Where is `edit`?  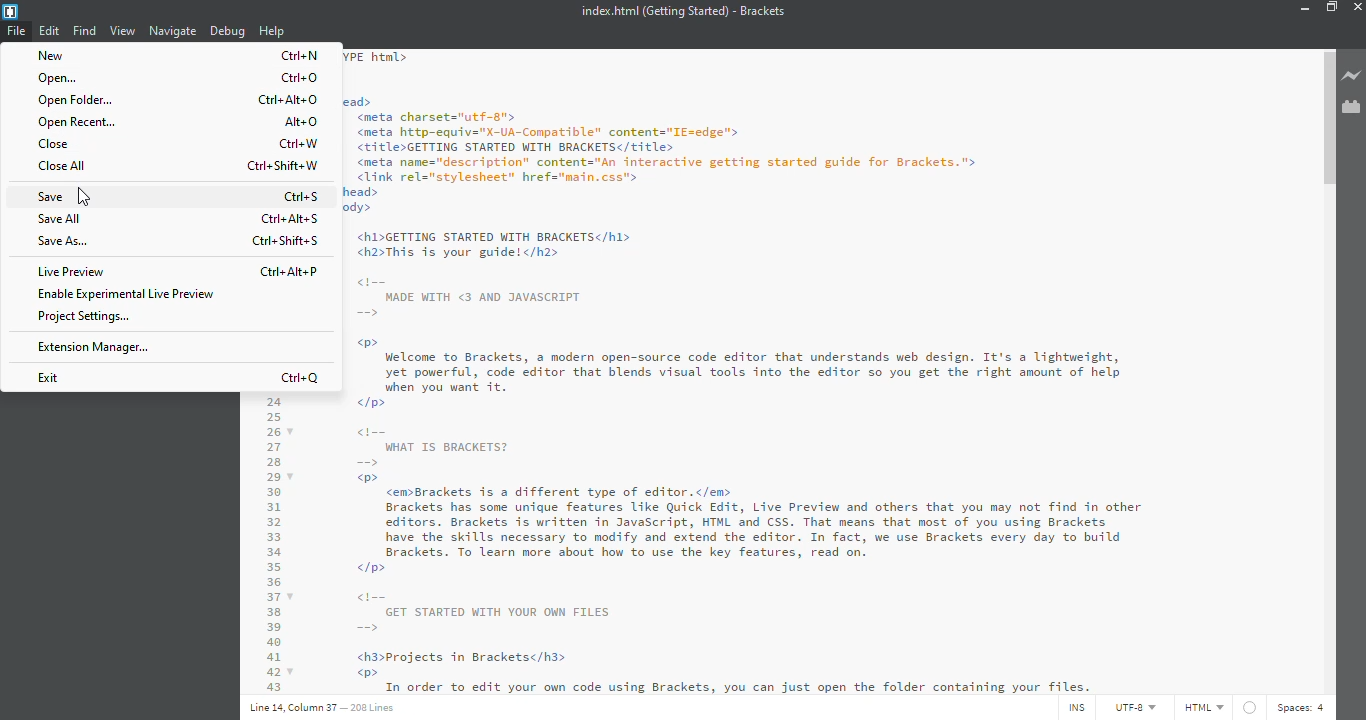 edit is located at coordinates (48, 30).